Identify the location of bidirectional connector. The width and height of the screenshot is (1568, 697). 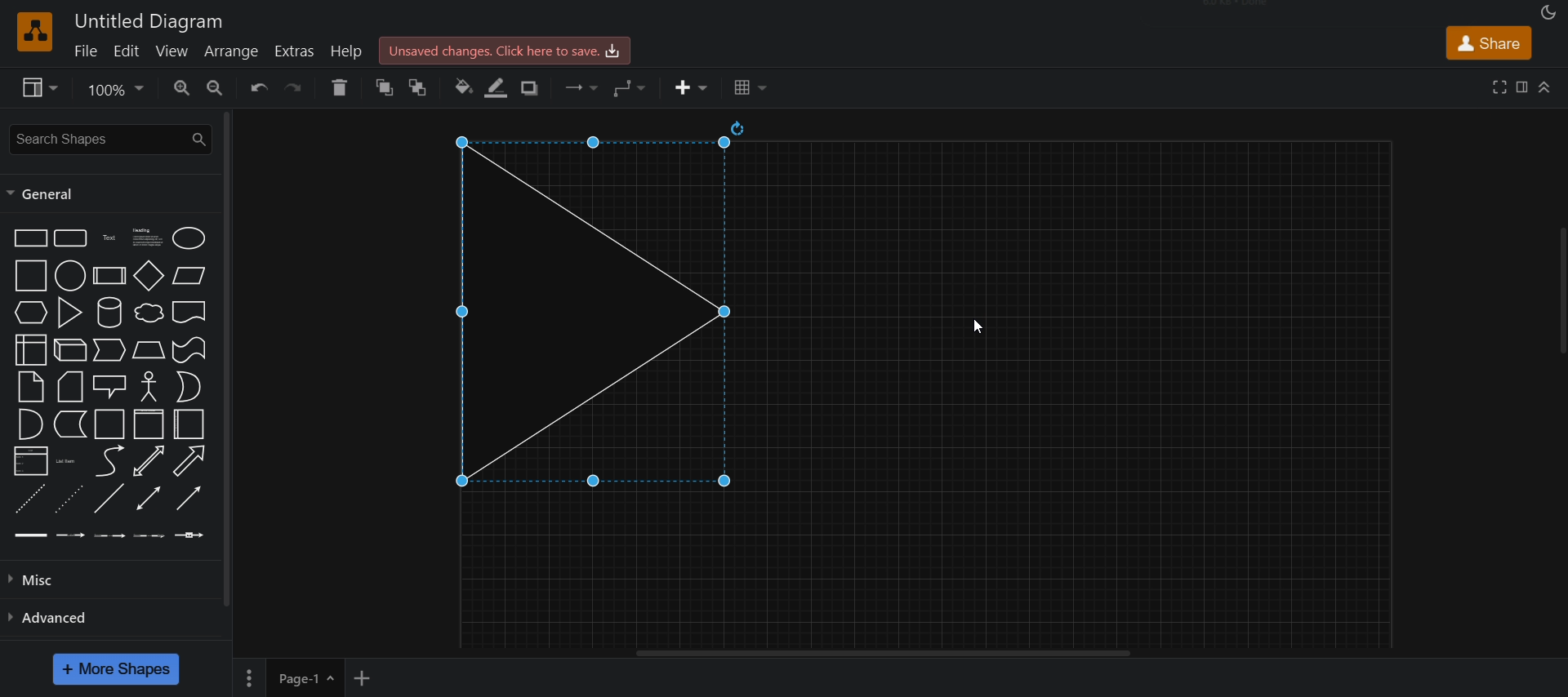
(149, 499).